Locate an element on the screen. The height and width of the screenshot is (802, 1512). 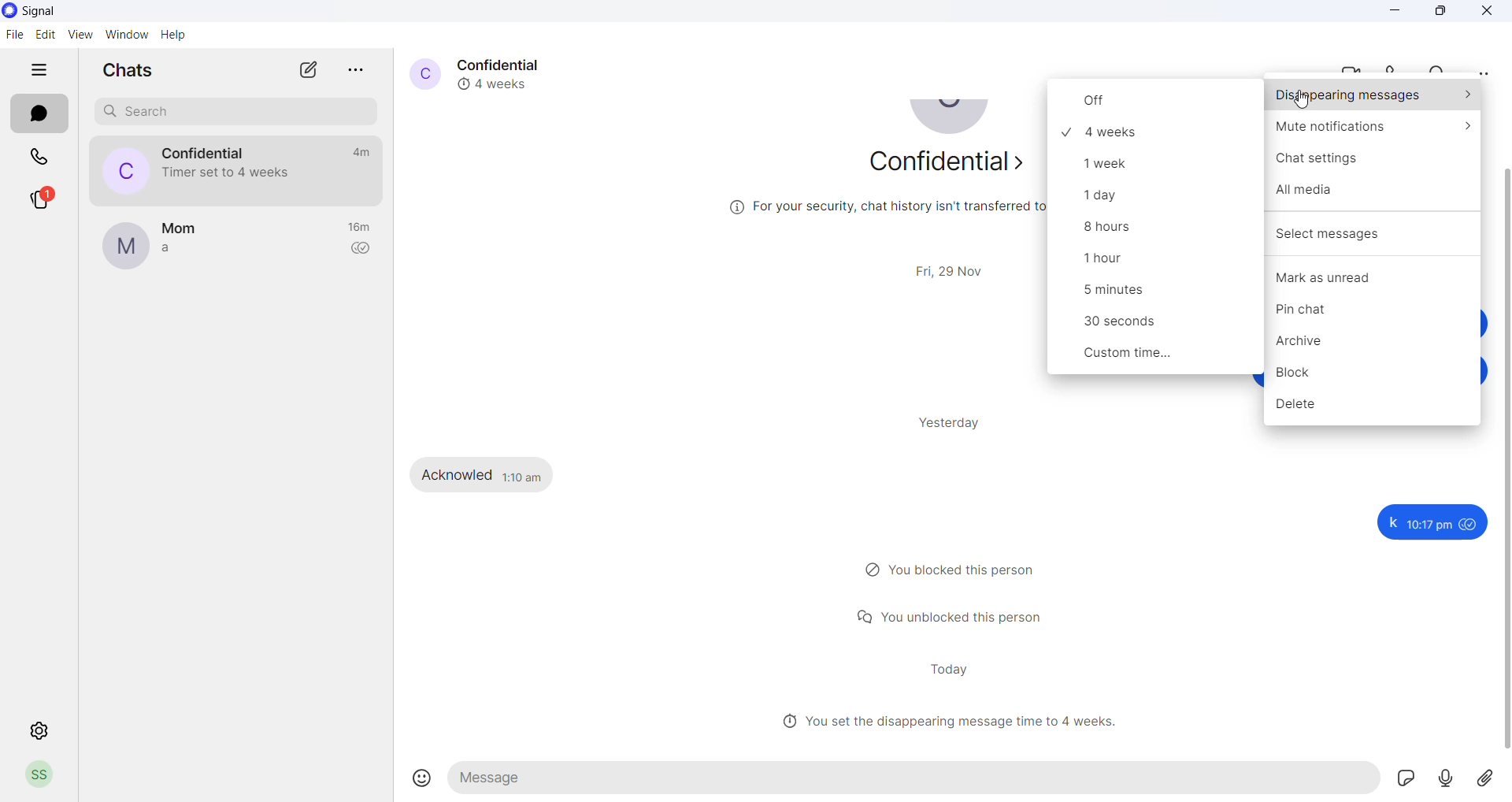
profile is located at coordinates (46, 776).